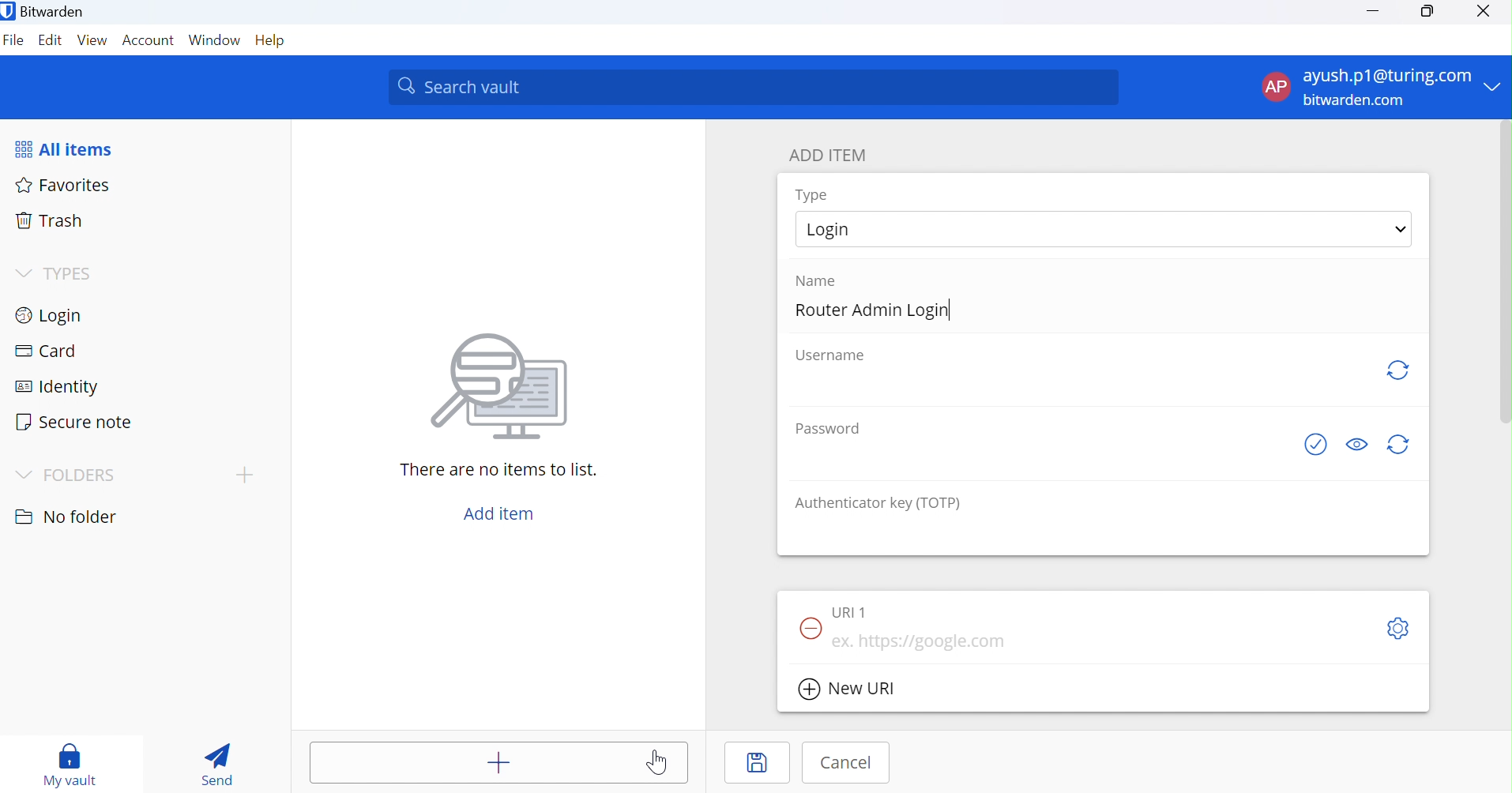 The width and height of the screenshot is (1512, 793). I want to click on Edit, so click(52, 42).